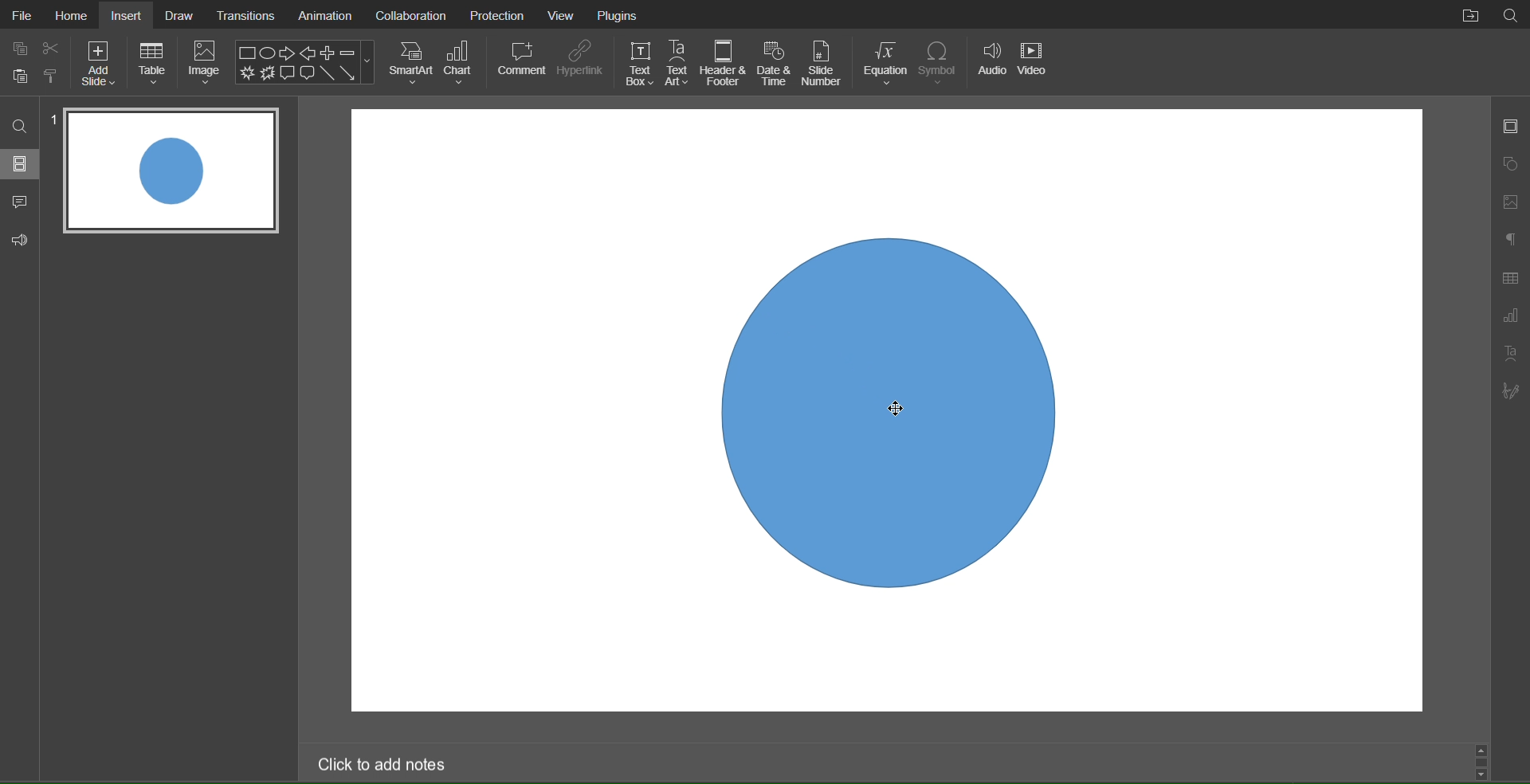  Describe the element at coordinates (1509, 275) in the screenshot. I see `Table Settings` at that location.